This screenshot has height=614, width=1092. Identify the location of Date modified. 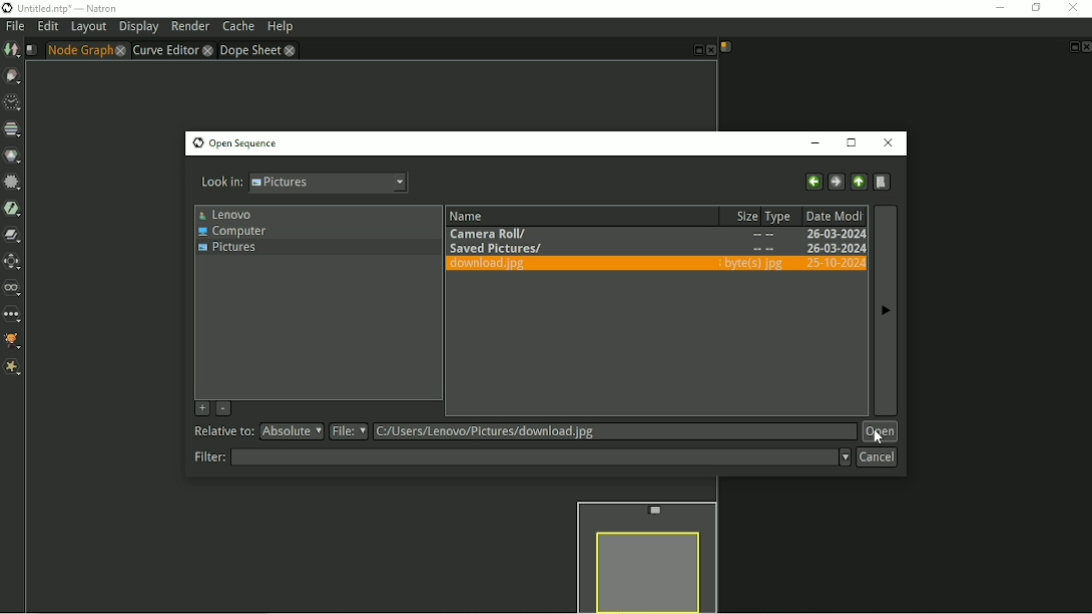
(833, 214).